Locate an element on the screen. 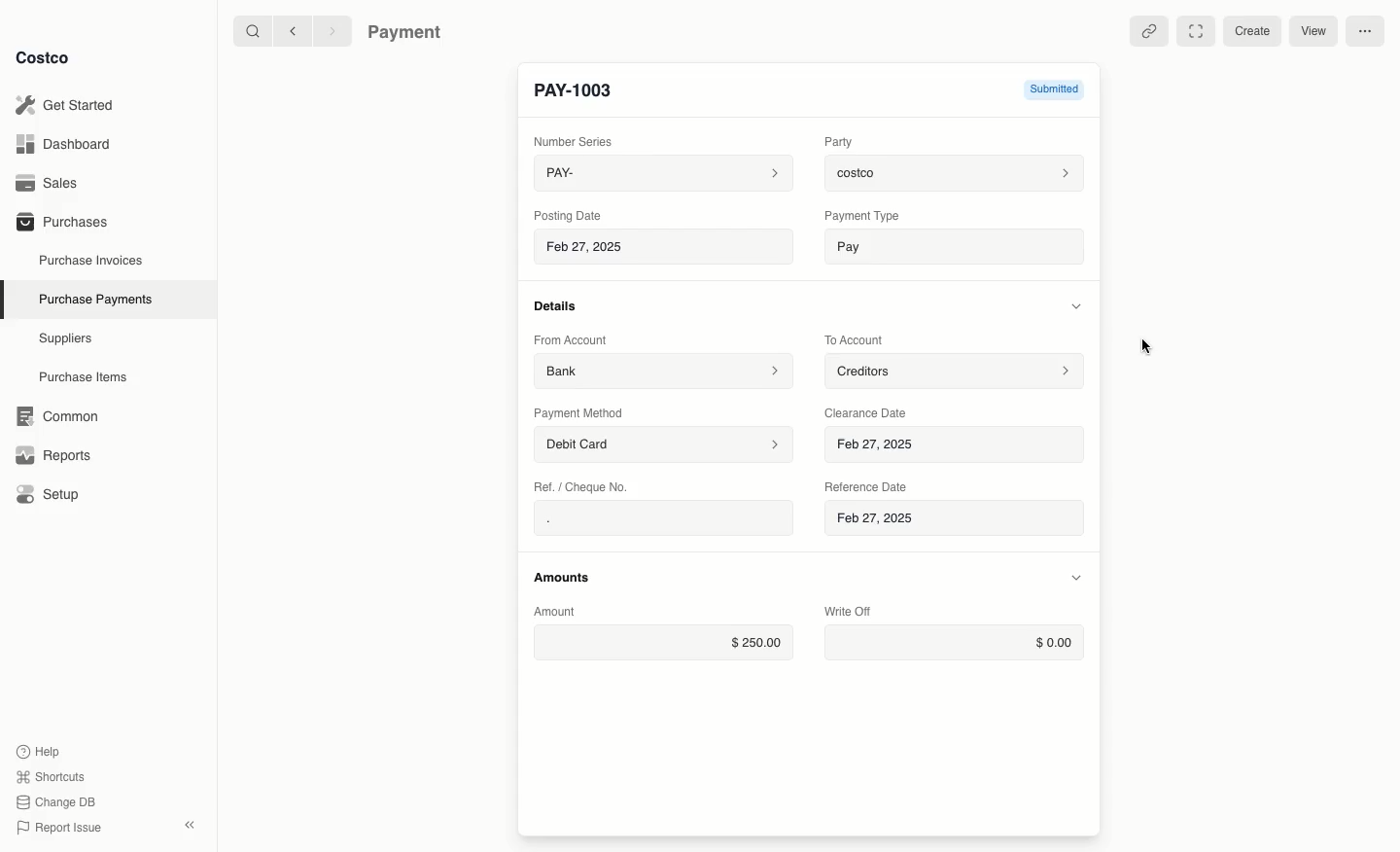 The height and width of the screenshot is (852, 1400). Back is located at coordinates (293, 30).